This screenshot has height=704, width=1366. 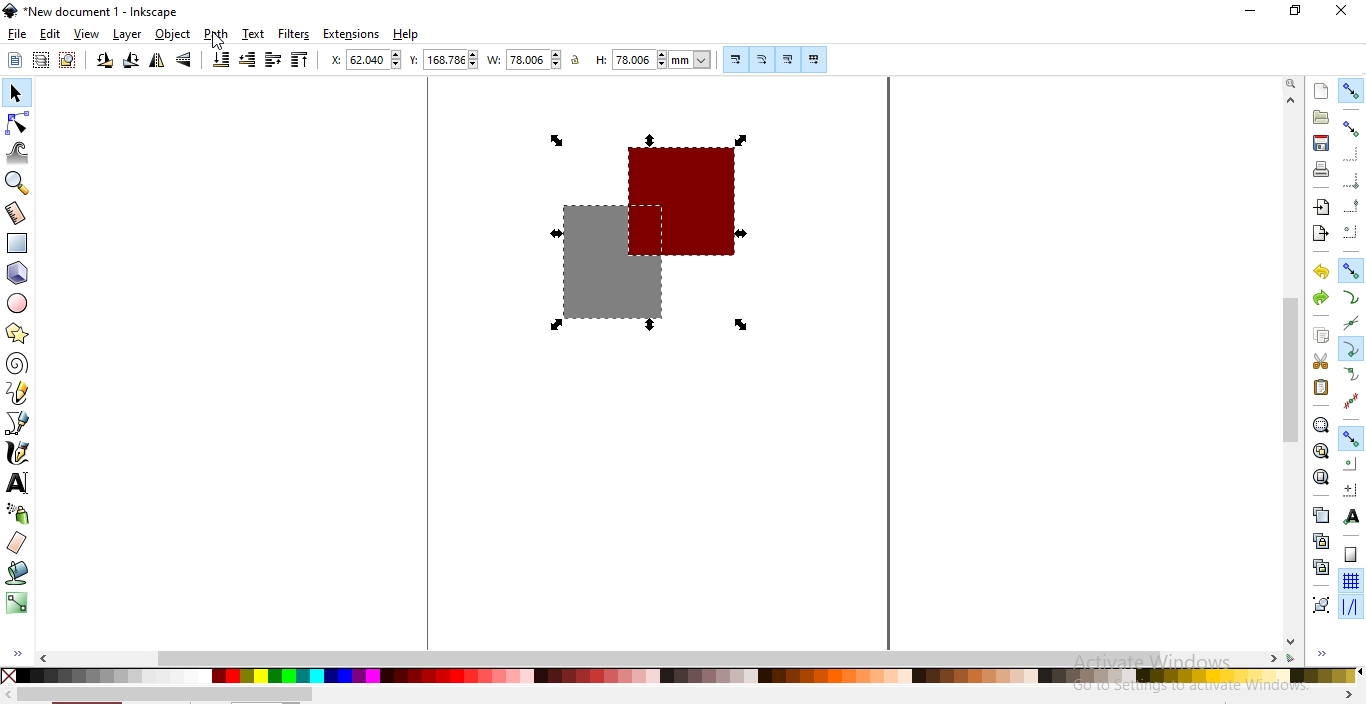 What do you see at coordinates (20, 153) in the screenshot?
I see `tweak objects by sculpting or painting` at bounding box center [20, 153].